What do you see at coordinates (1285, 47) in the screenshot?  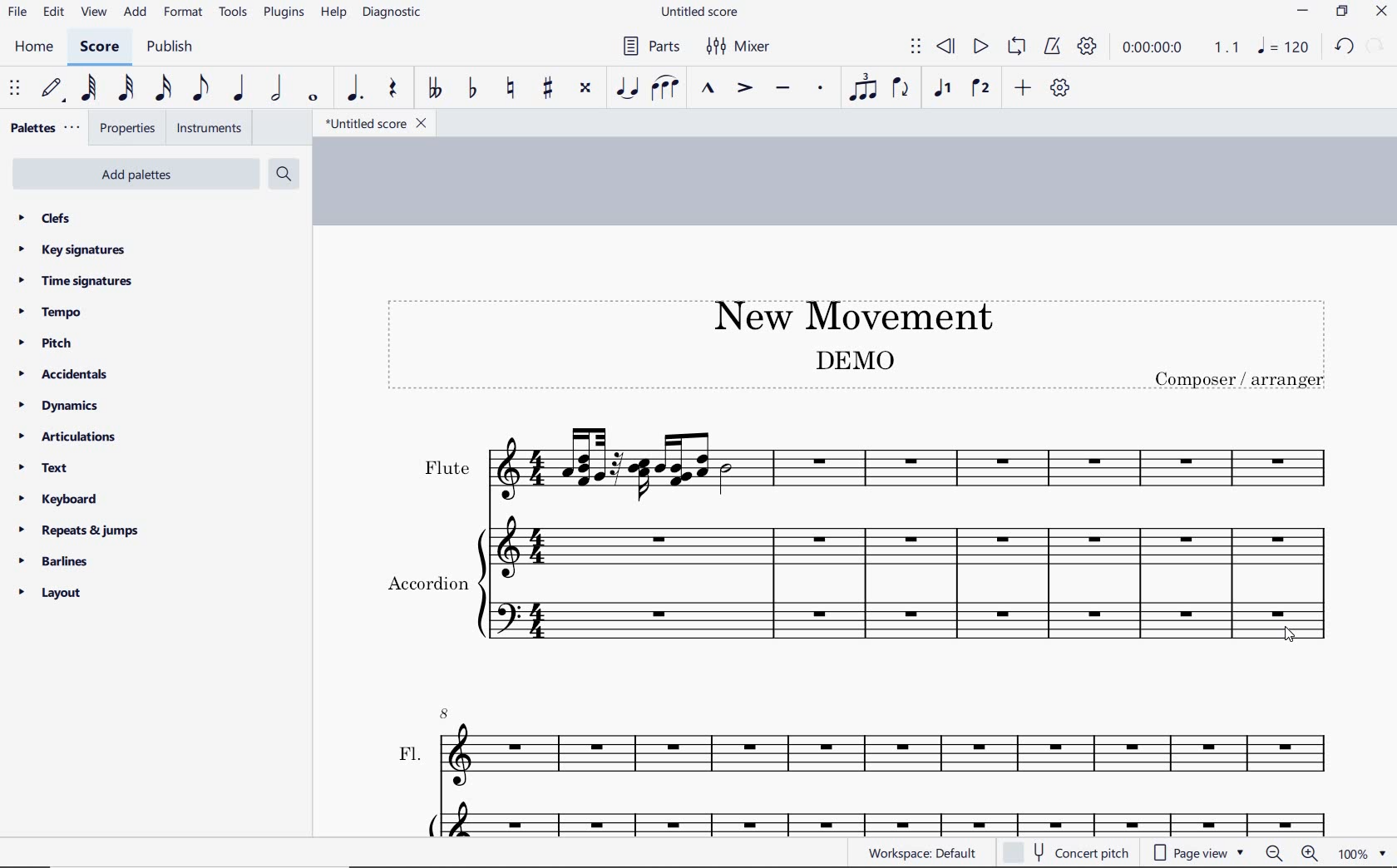 I see `NOTE` at bounding box center [1285, 47].